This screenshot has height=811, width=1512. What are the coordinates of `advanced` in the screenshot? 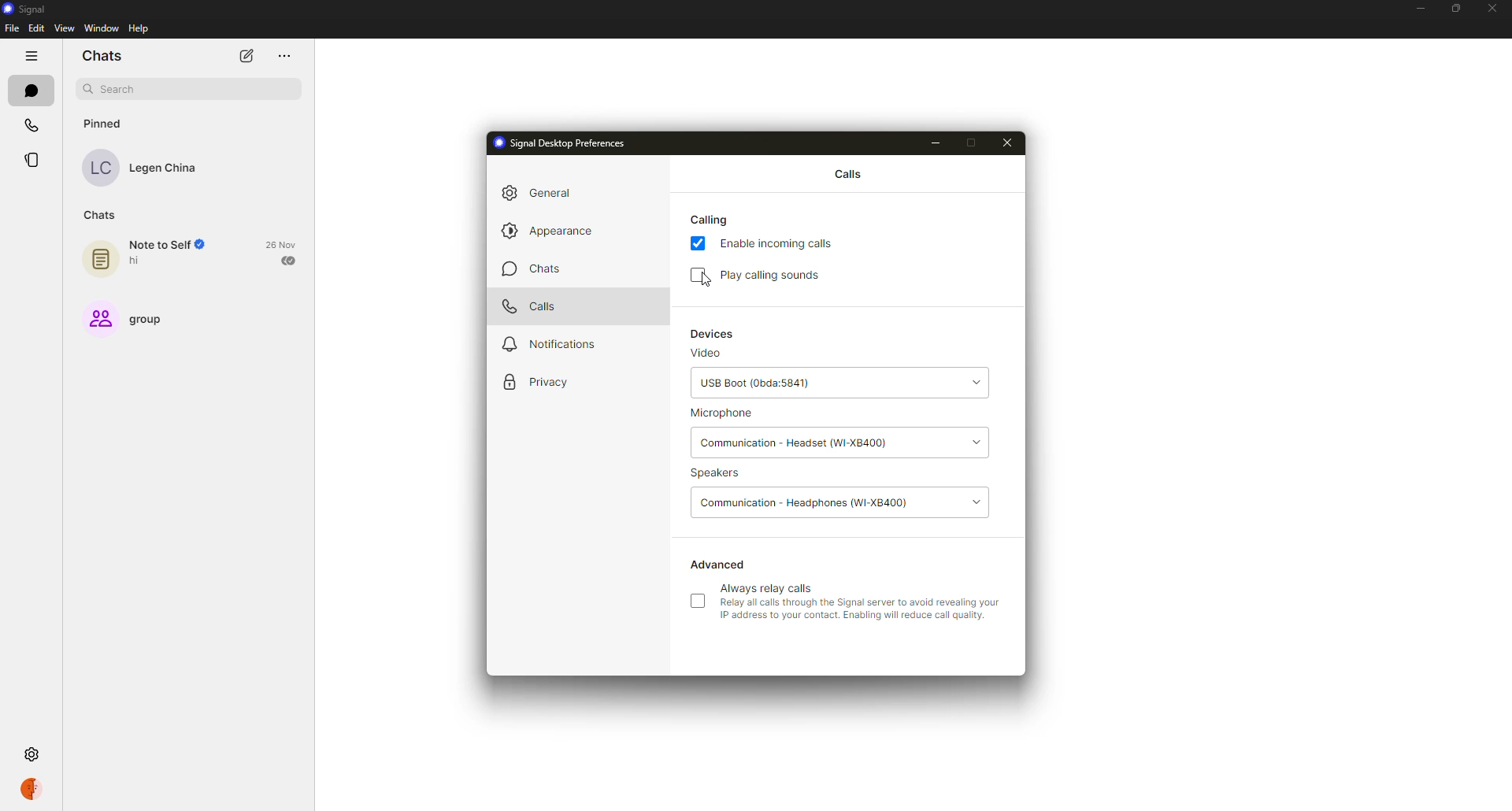 It's located at (721, 565).